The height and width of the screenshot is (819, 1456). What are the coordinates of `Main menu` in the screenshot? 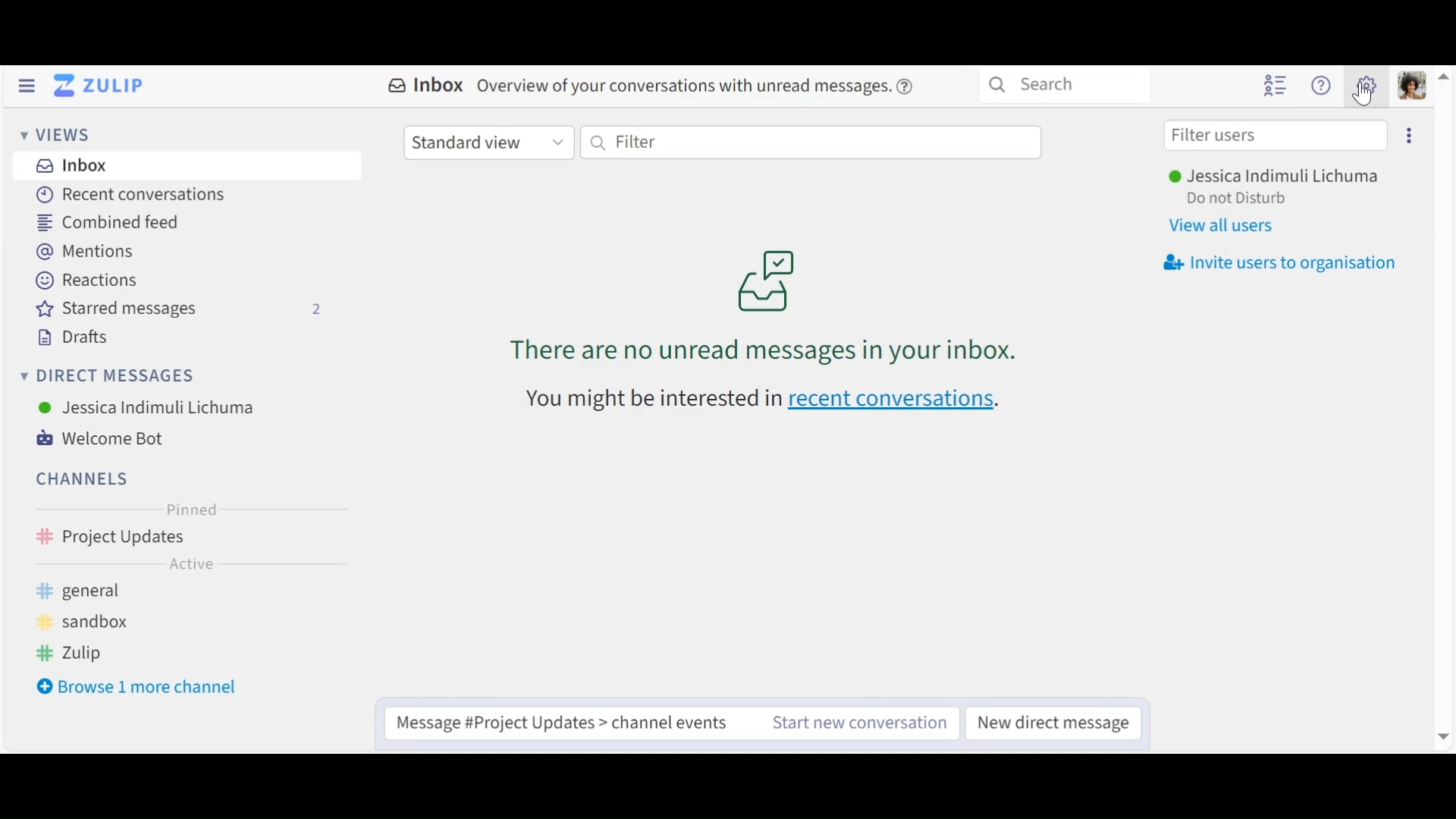 It's located at (1368, 84).